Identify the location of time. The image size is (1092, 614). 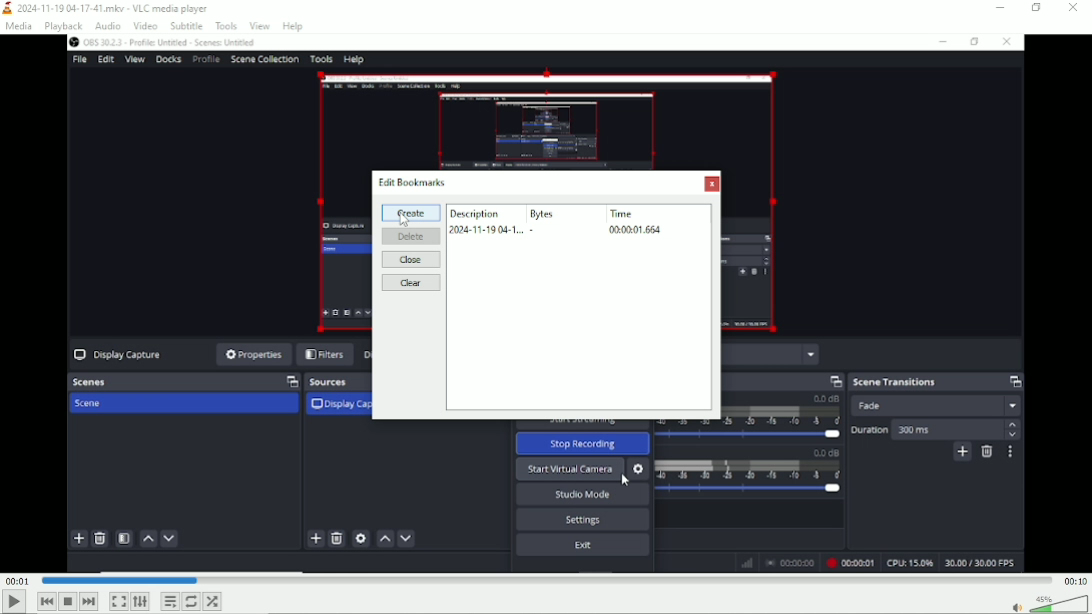
(624, 213).